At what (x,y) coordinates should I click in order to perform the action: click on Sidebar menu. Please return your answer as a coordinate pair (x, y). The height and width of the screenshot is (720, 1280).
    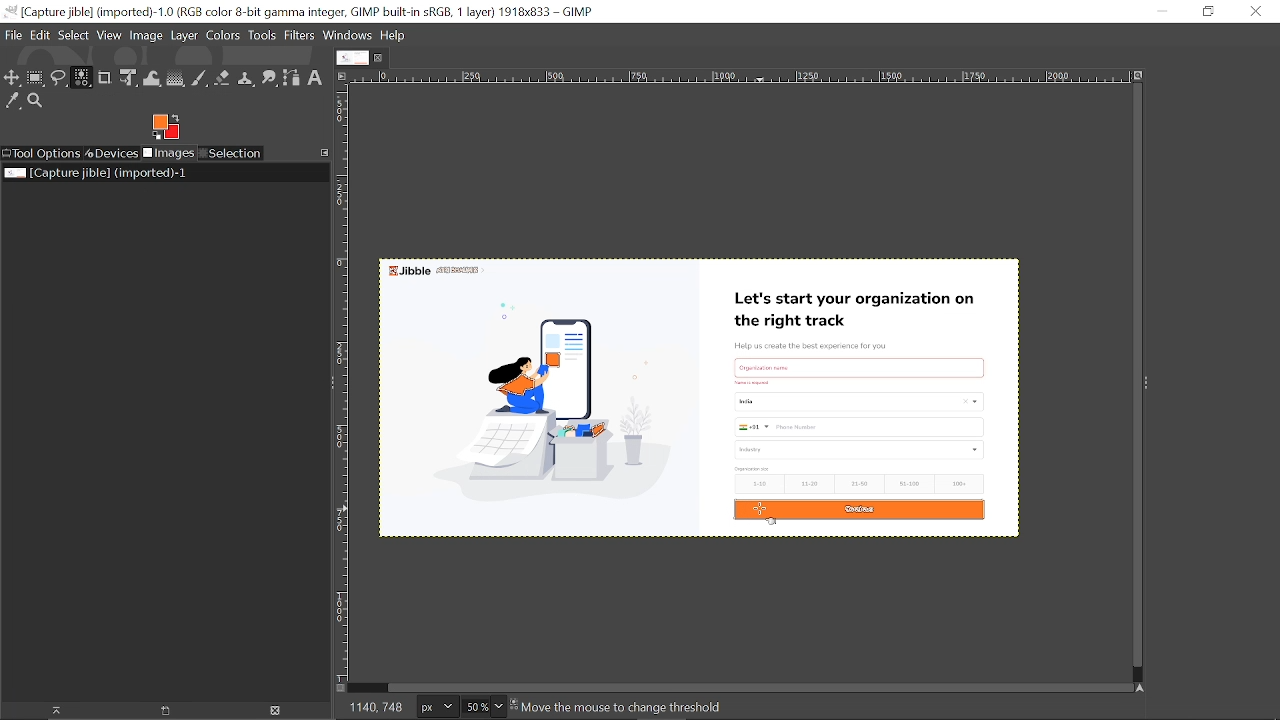
    Looking at the image, I should click on (1152, 384).